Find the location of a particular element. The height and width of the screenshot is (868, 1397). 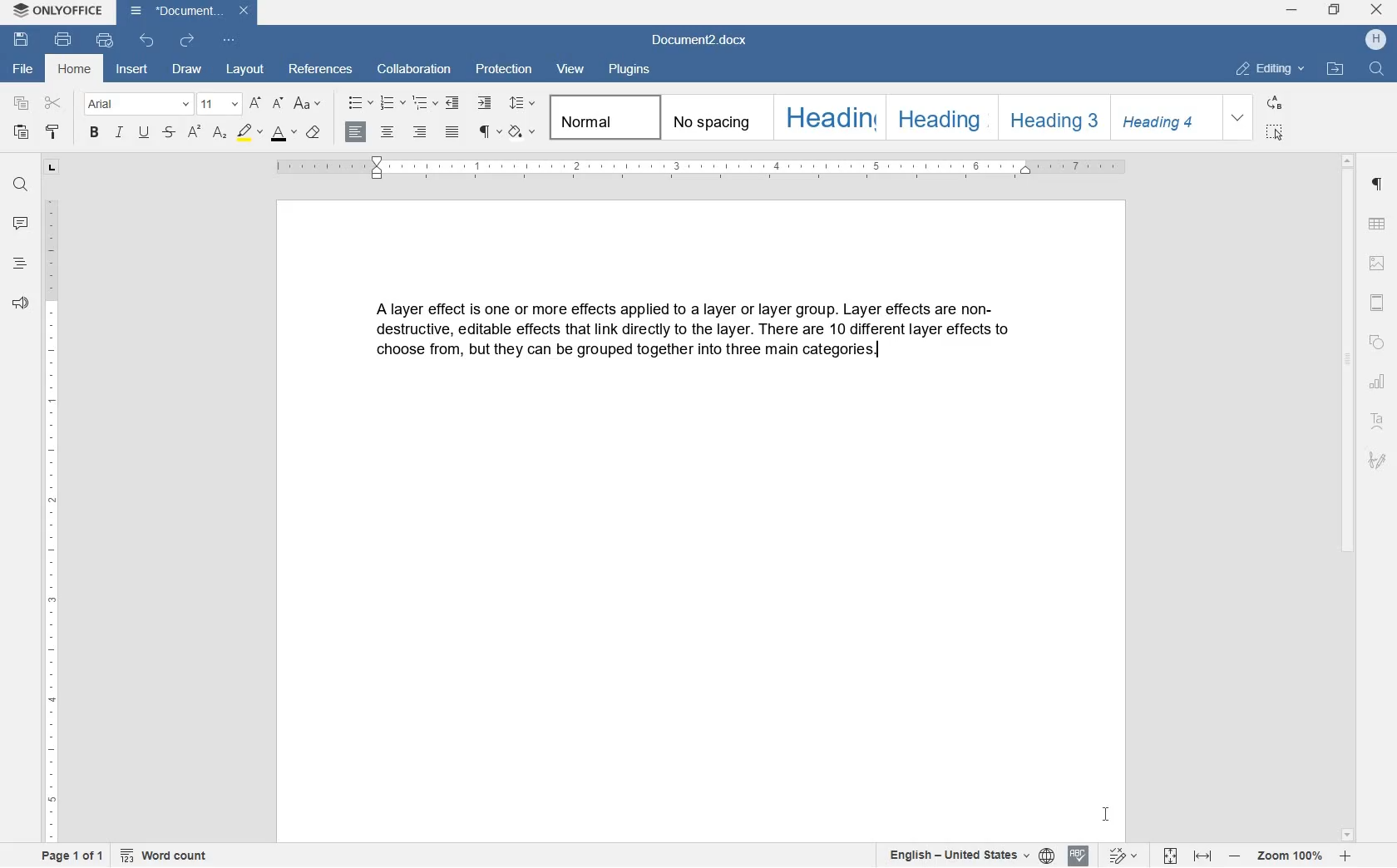

text art is located at coordinates (1377, 422).